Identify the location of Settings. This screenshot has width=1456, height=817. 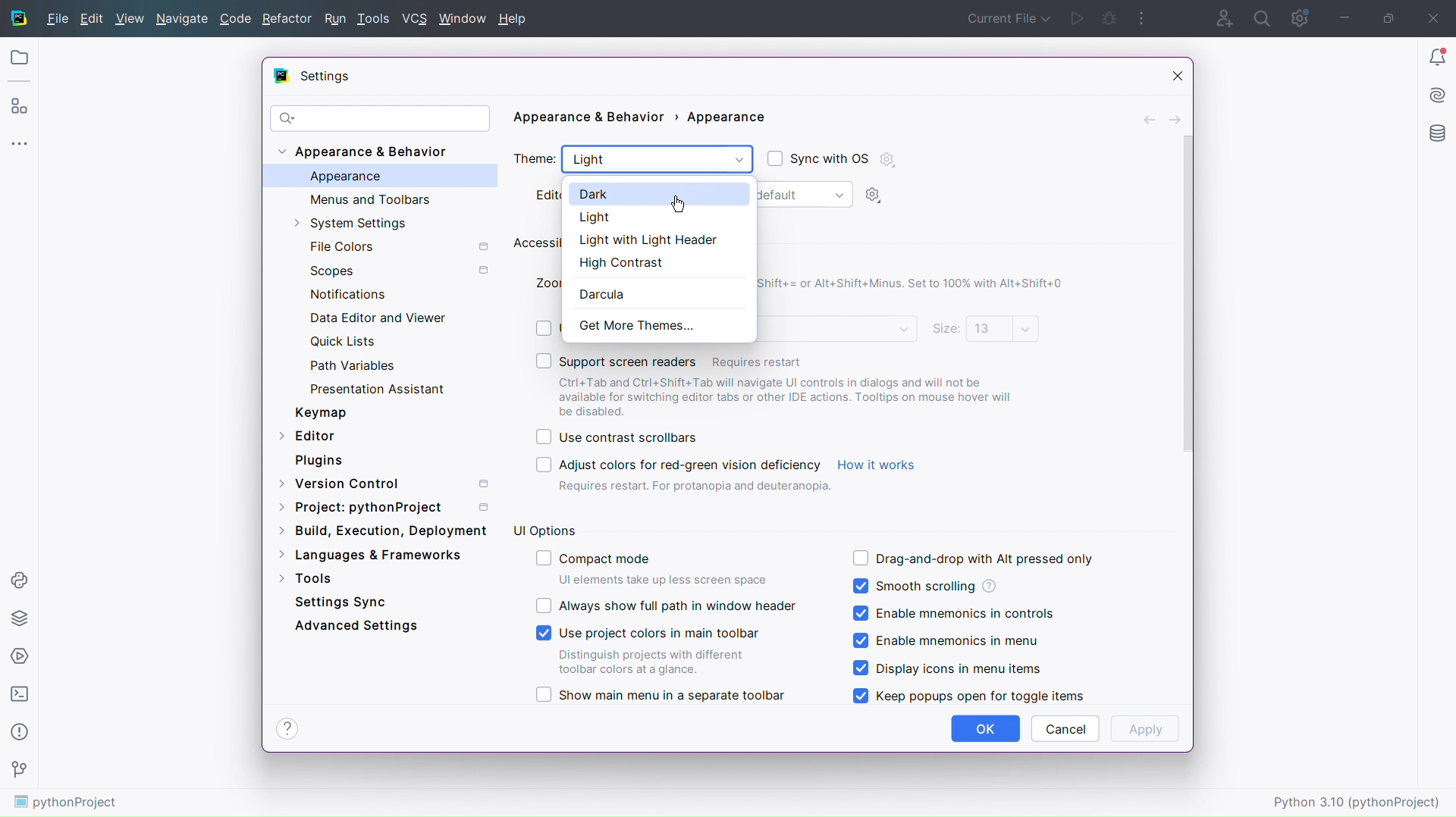
(1299, 17).